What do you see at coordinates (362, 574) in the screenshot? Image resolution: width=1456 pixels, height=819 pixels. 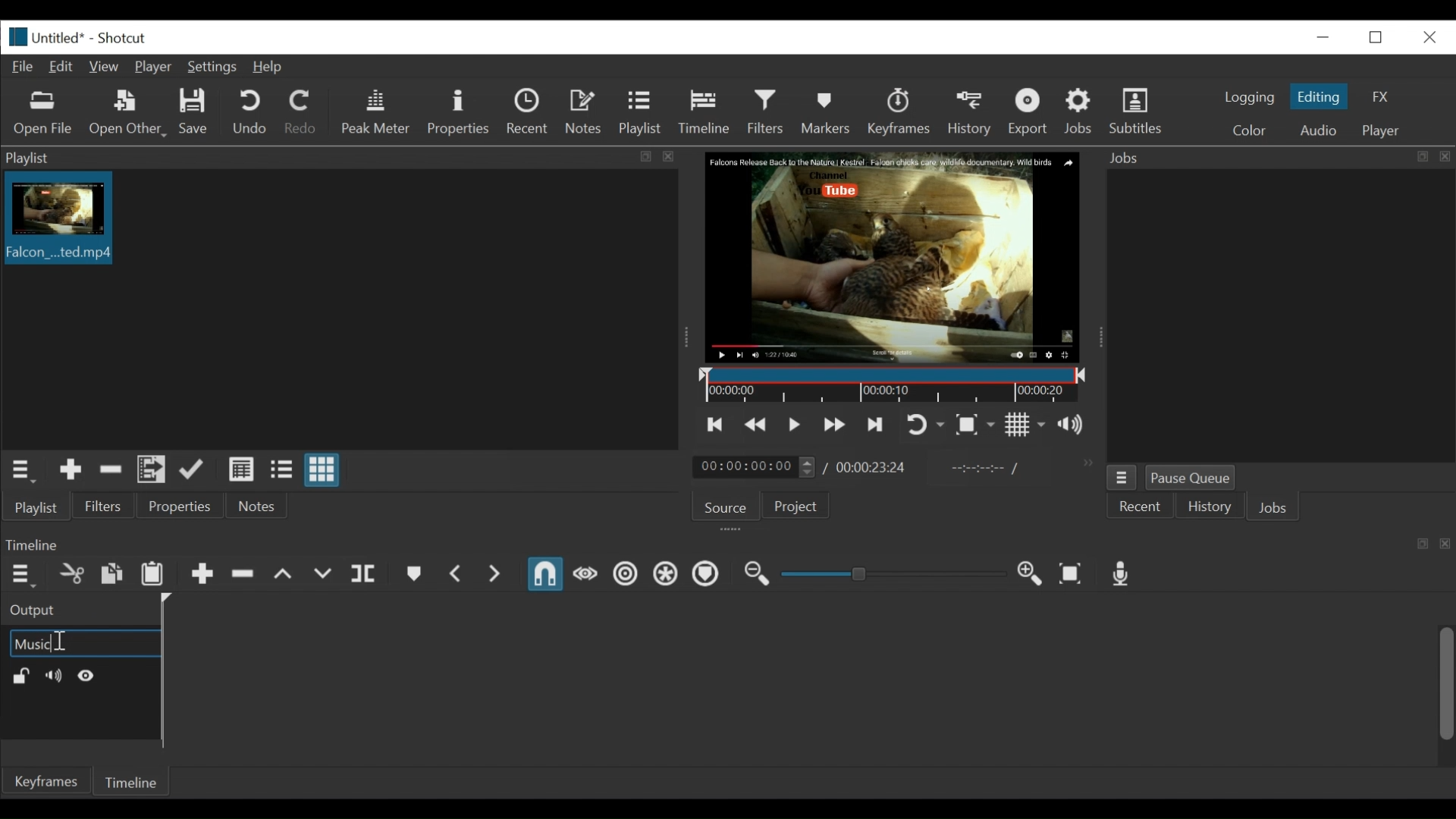 I see `Split at playhead` at bounding box center [362, 574].